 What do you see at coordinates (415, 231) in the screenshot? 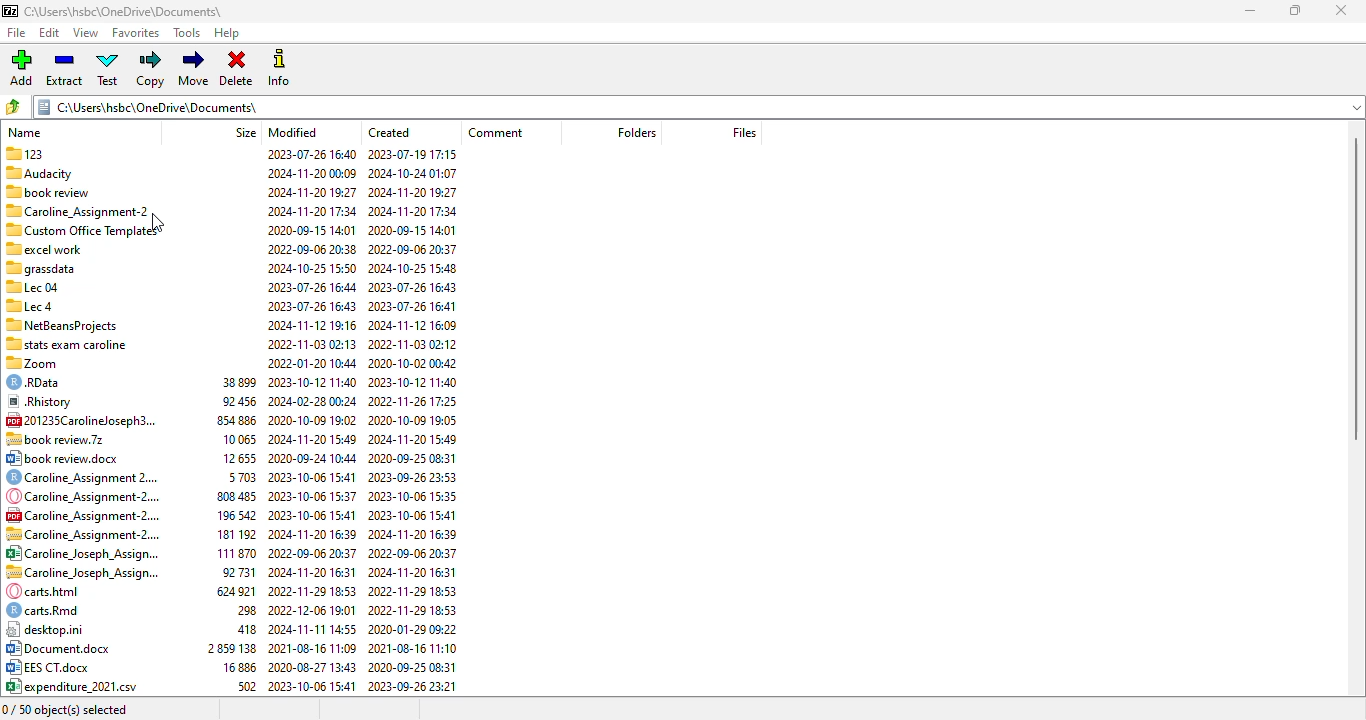
I see `2020-09-15 14:01` at bounding box center [415, 231].